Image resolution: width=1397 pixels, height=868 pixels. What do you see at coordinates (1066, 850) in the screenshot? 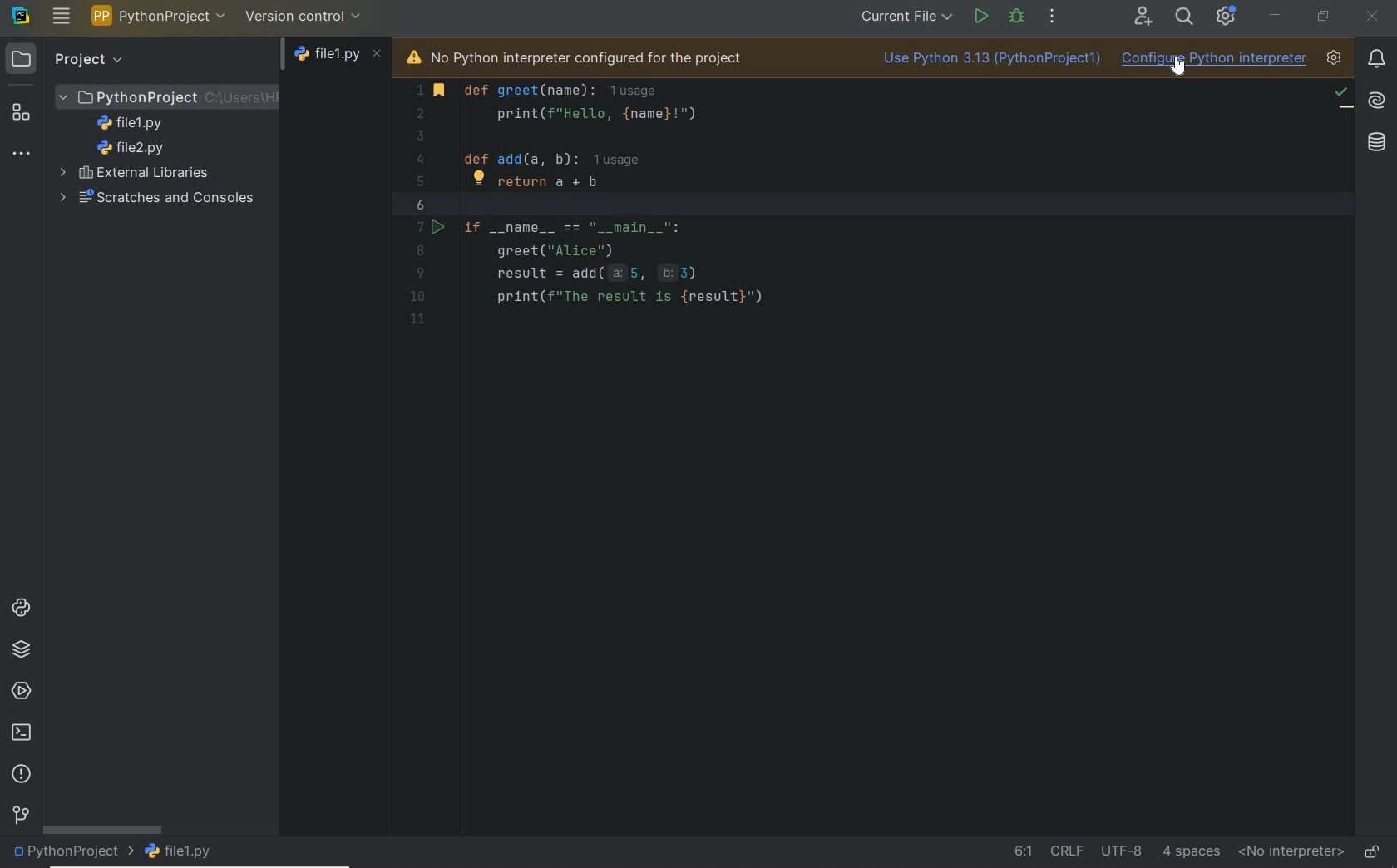
I see `line separator` at bounding box center [1066, 850].